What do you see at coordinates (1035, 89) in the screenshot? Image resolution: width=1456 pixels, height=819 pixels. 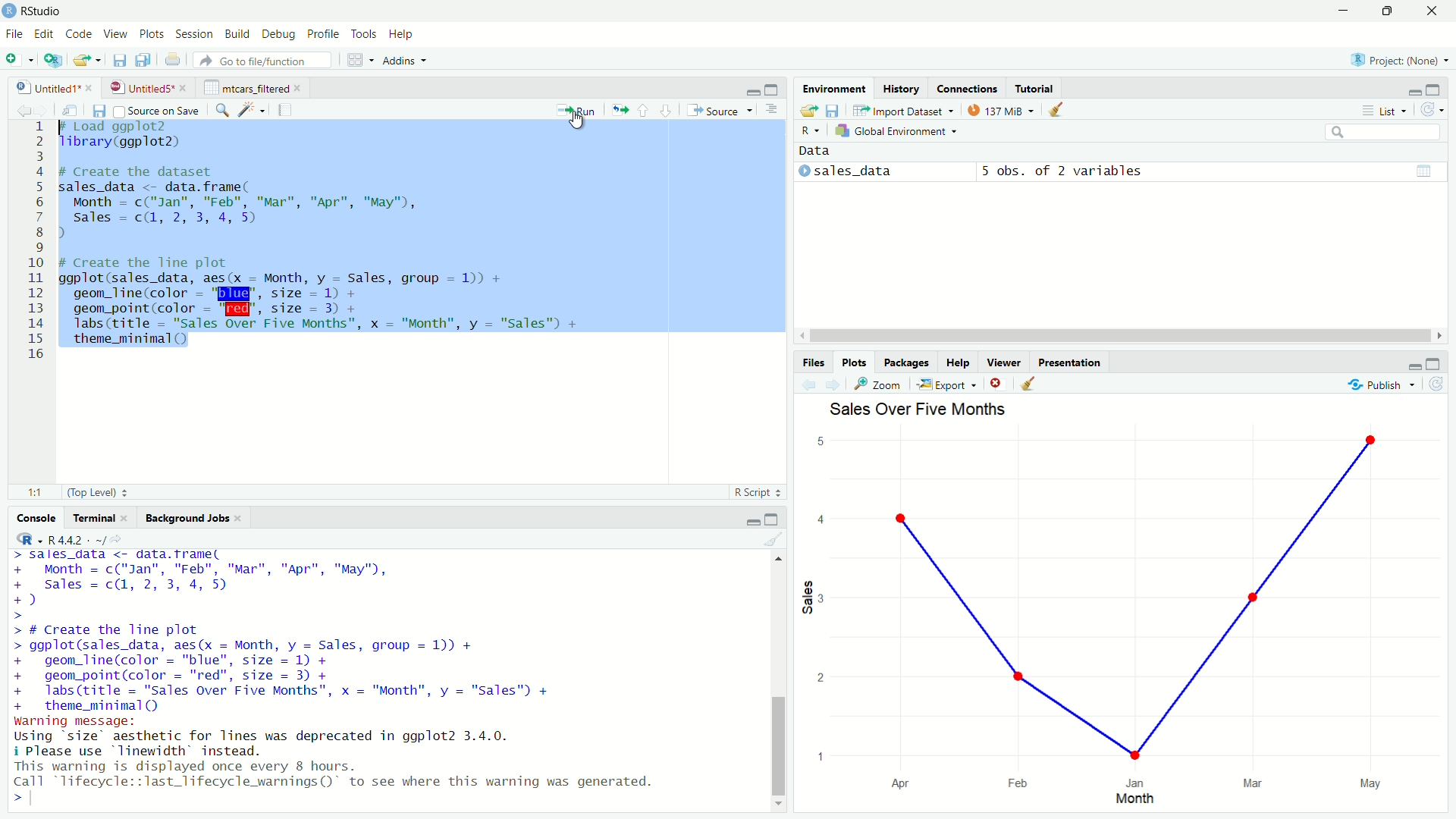 I see `Tutorial` at bounding box center [1035, 89].